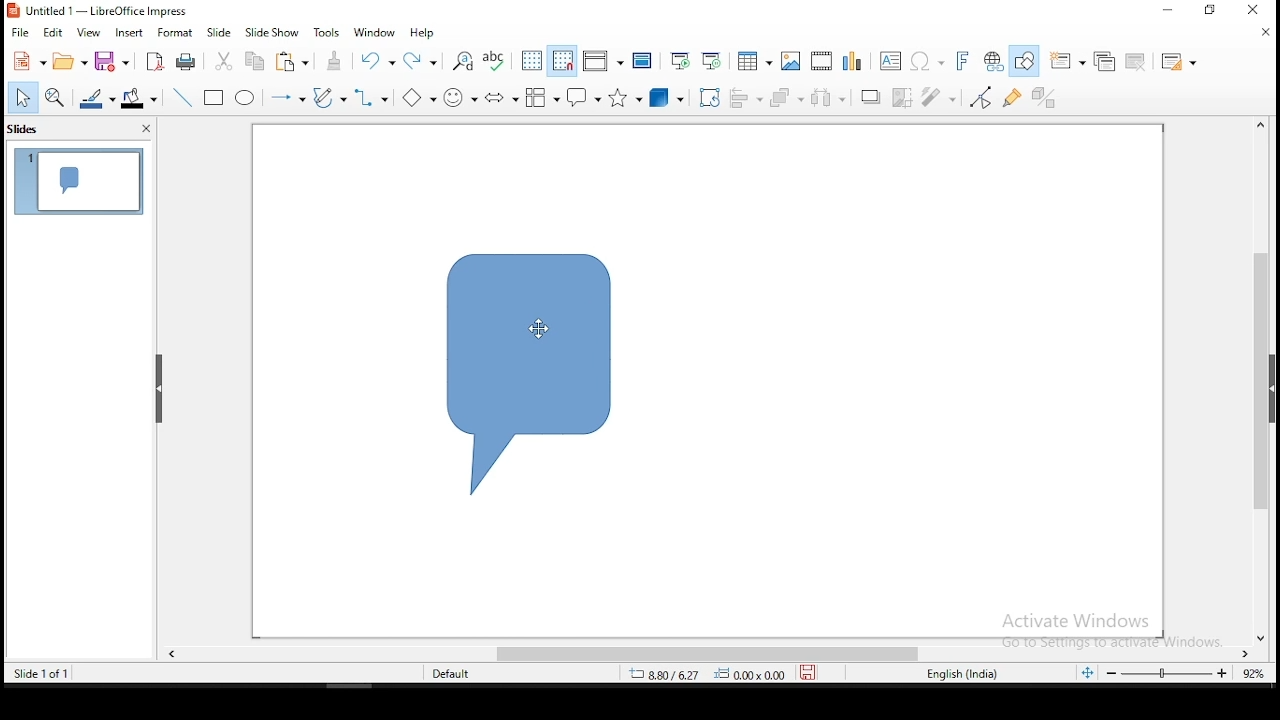 The image size is (1280, 720). What do you see at coordinates (69, 61) in the screenshot?
I see `open` at bounding box center [69, 61].